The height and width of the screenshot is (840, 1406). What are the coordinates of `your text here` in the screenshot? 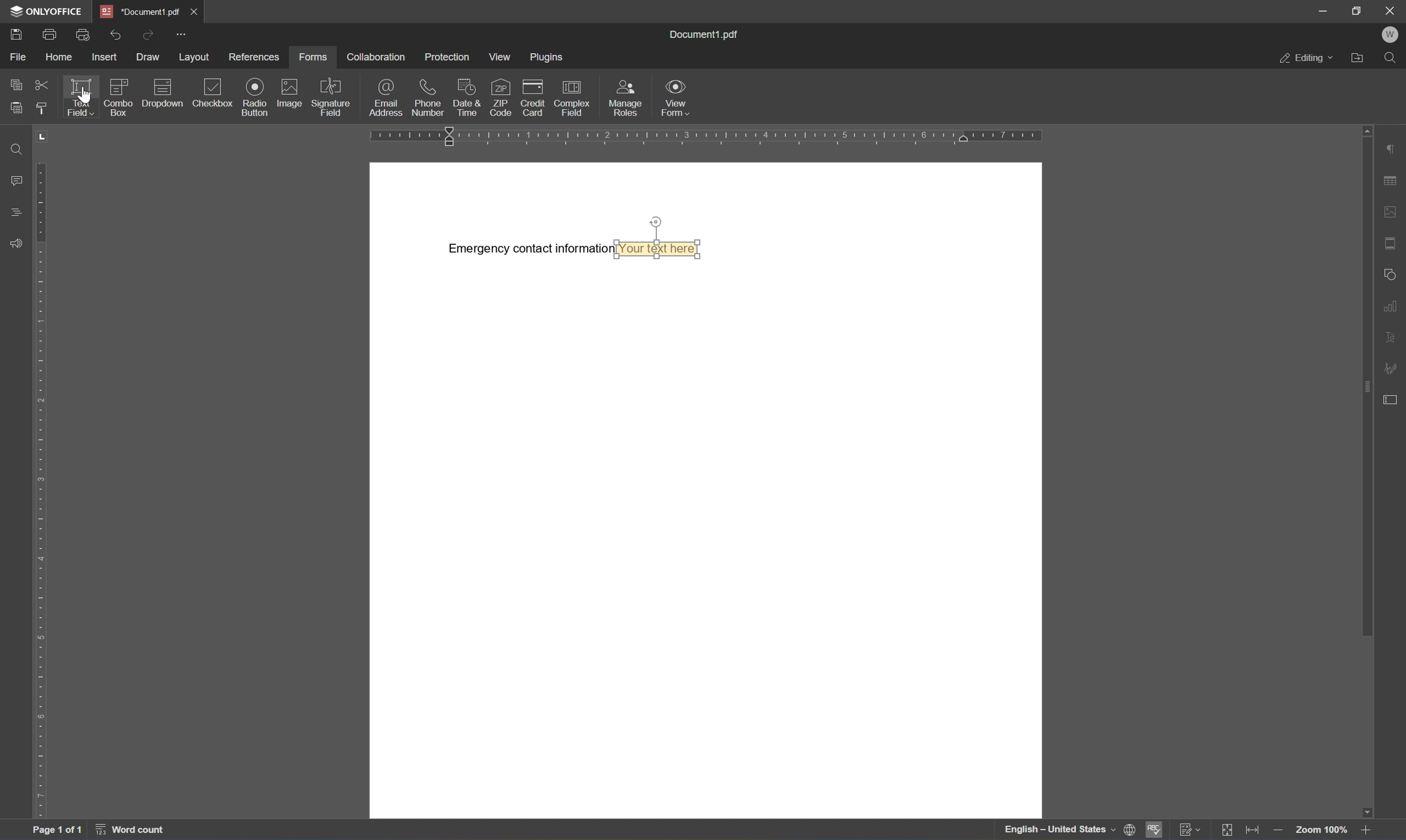 It's located at (663, 251).